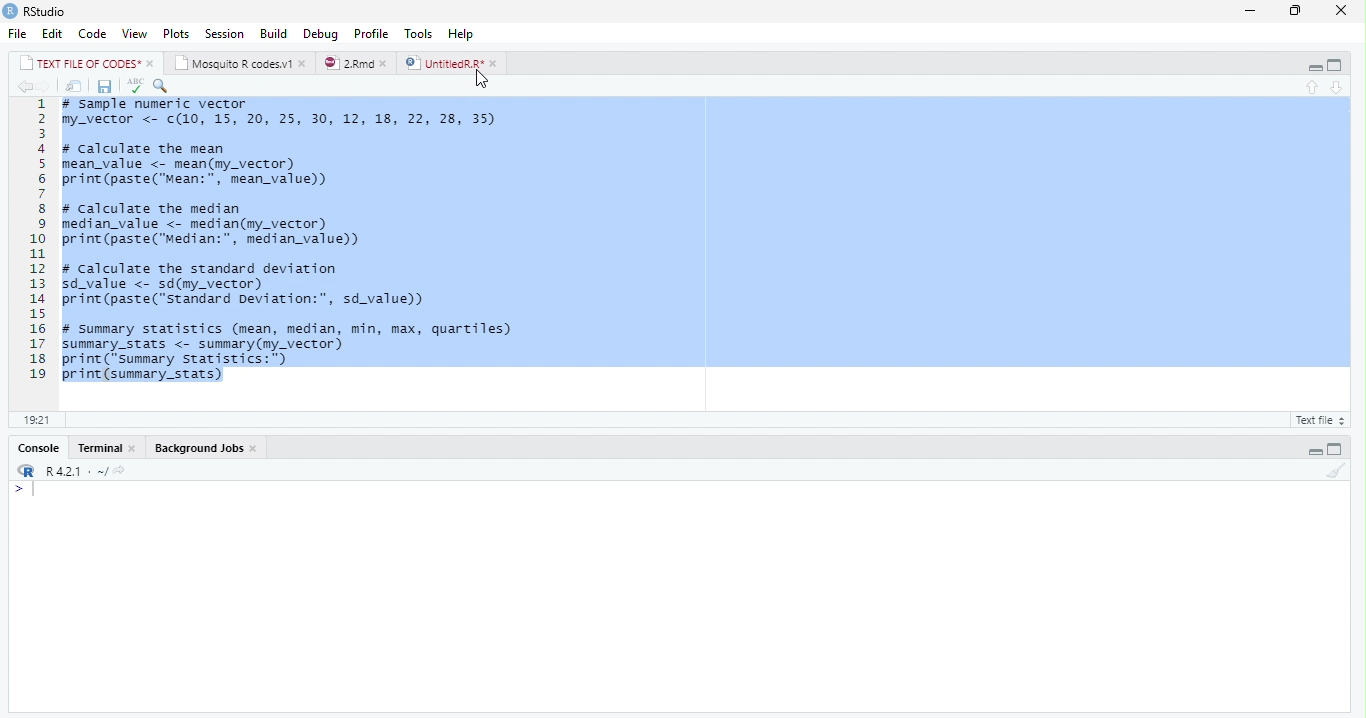 Image resolution: width=1366 pixels, height=718 pixels. Describe the element at coordinates (47, 88) in the screenshot. I see `forward` at that location.